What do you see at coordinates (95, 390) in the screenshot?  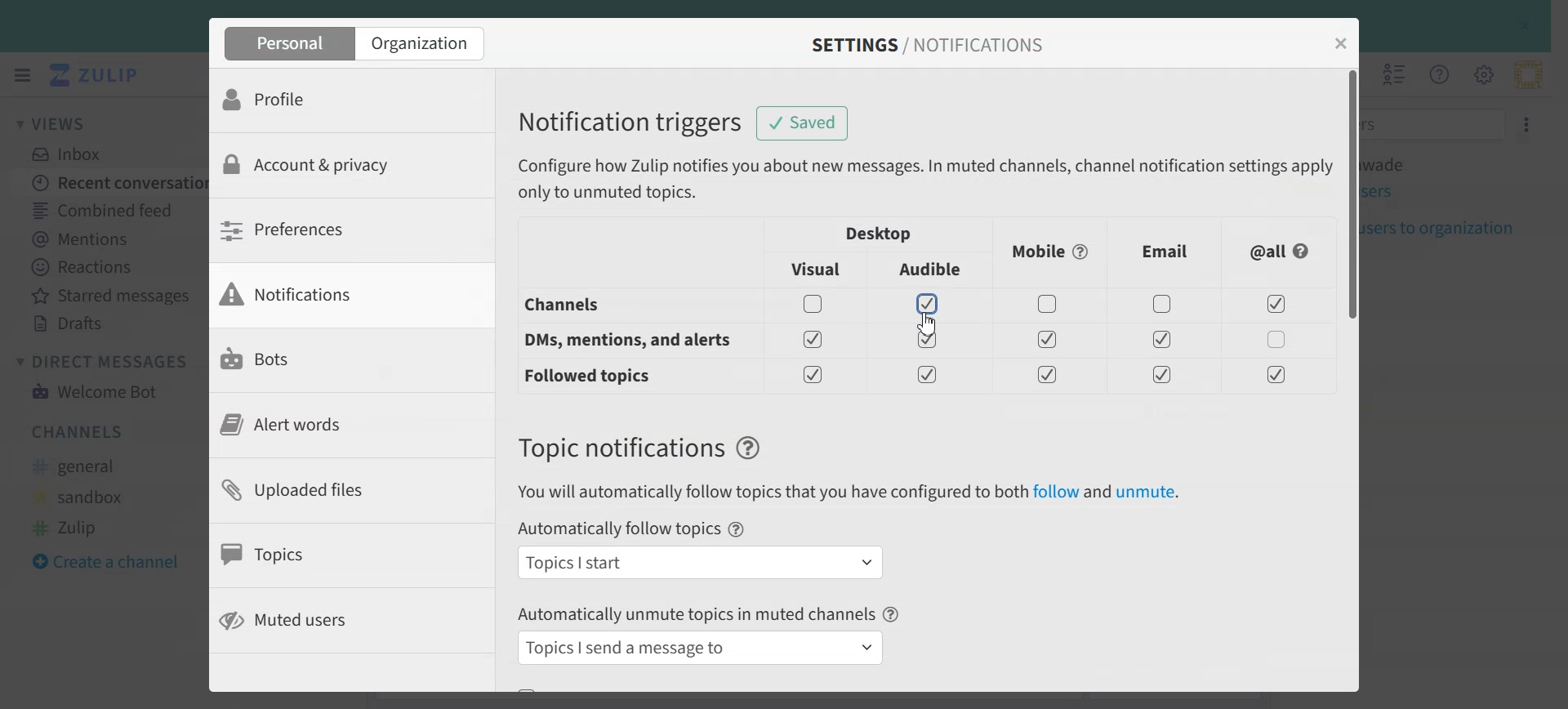 I see `Welcome Bot` at bounding box center [95, 390].